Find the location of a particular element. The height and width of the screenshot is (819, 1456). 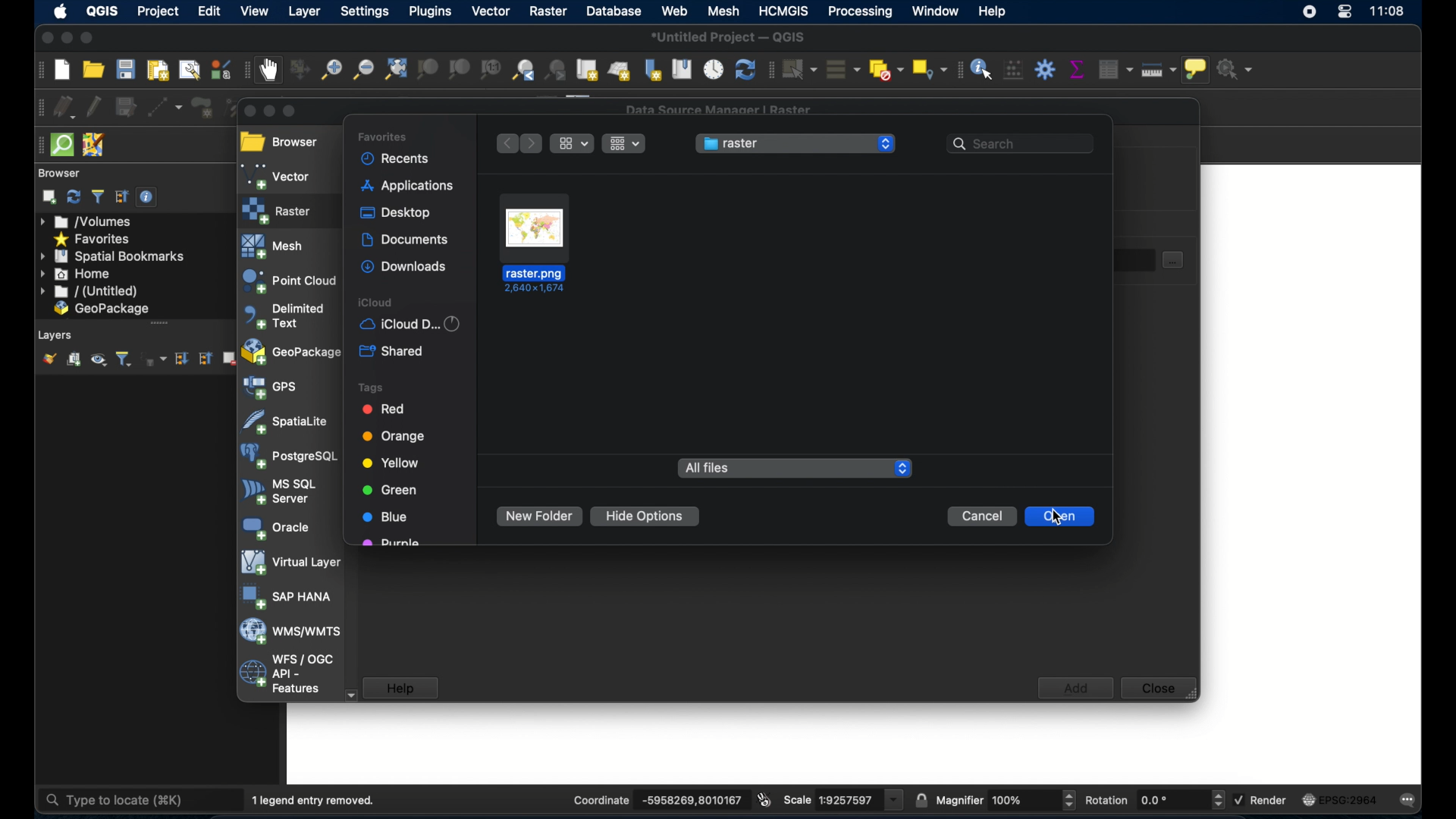

toggle extents and mouse position display is located at coordinates (766, 799).